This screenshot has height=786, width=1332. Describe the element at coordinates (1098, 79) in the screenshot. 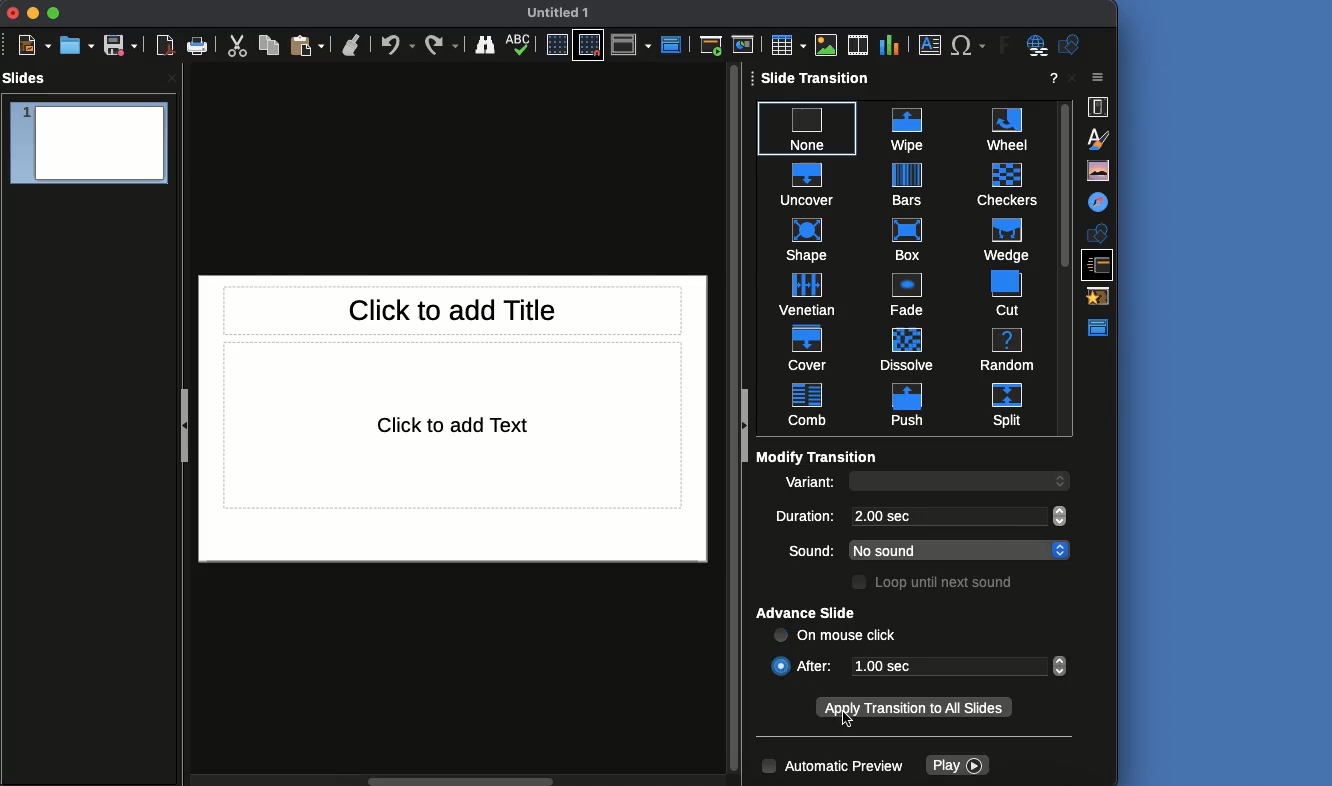

I see `Close` at that location.